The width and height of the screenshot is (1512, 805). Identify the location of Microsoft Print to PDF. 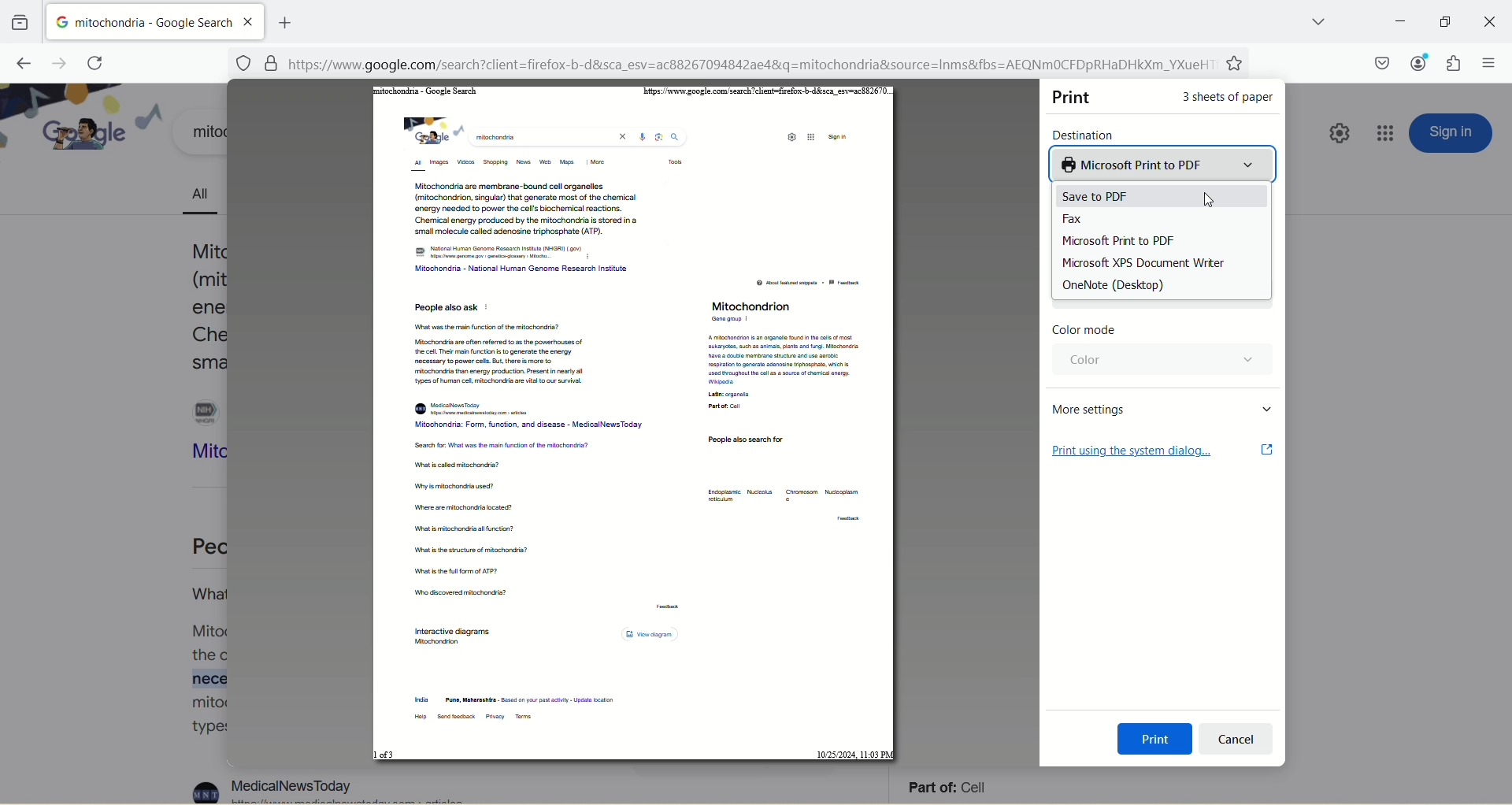
(1162, 239).